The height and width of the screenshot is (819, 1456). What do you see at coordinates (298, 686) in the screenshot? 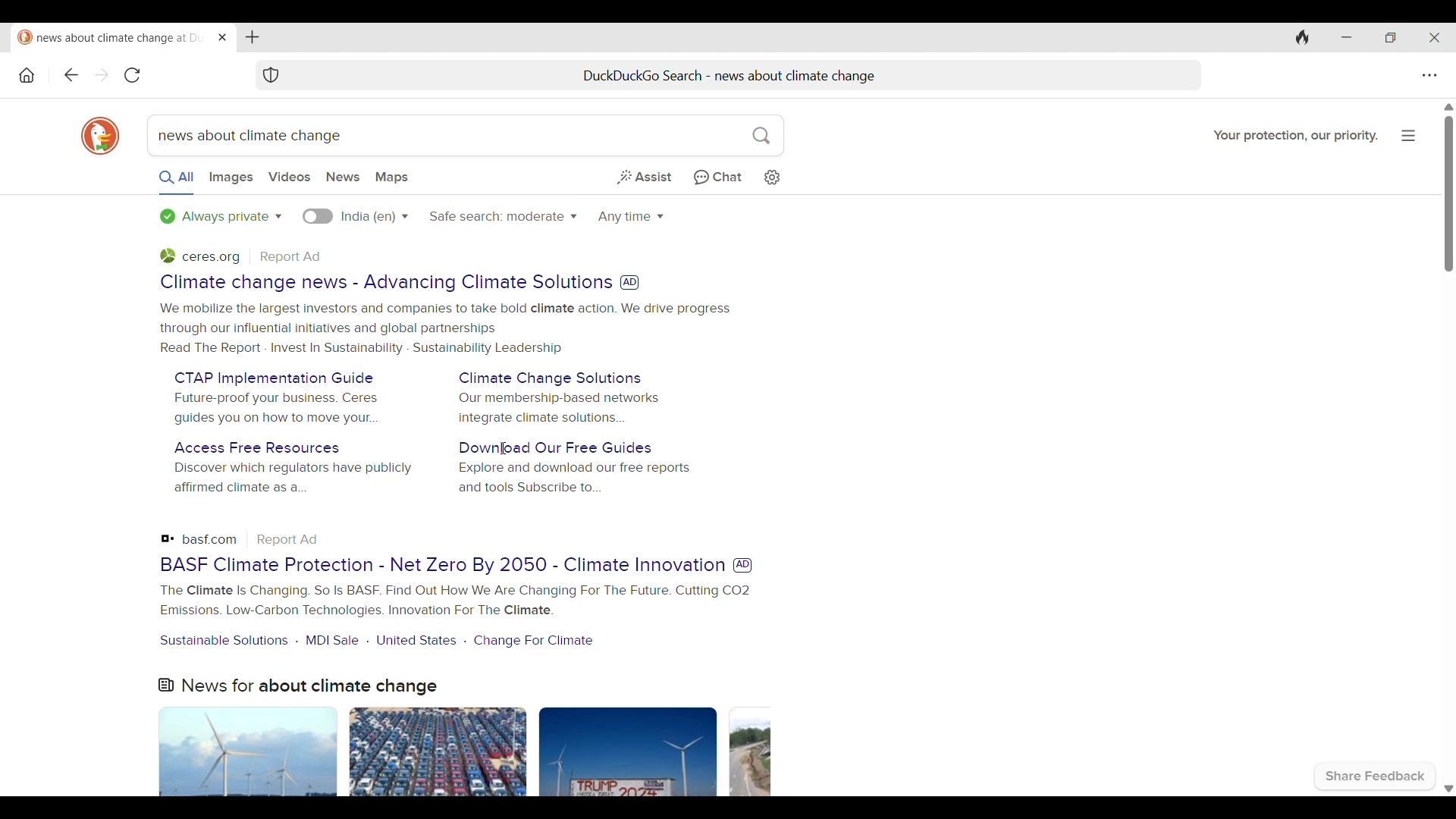
I see `News for about climate change` at bounding box center [298, 686].